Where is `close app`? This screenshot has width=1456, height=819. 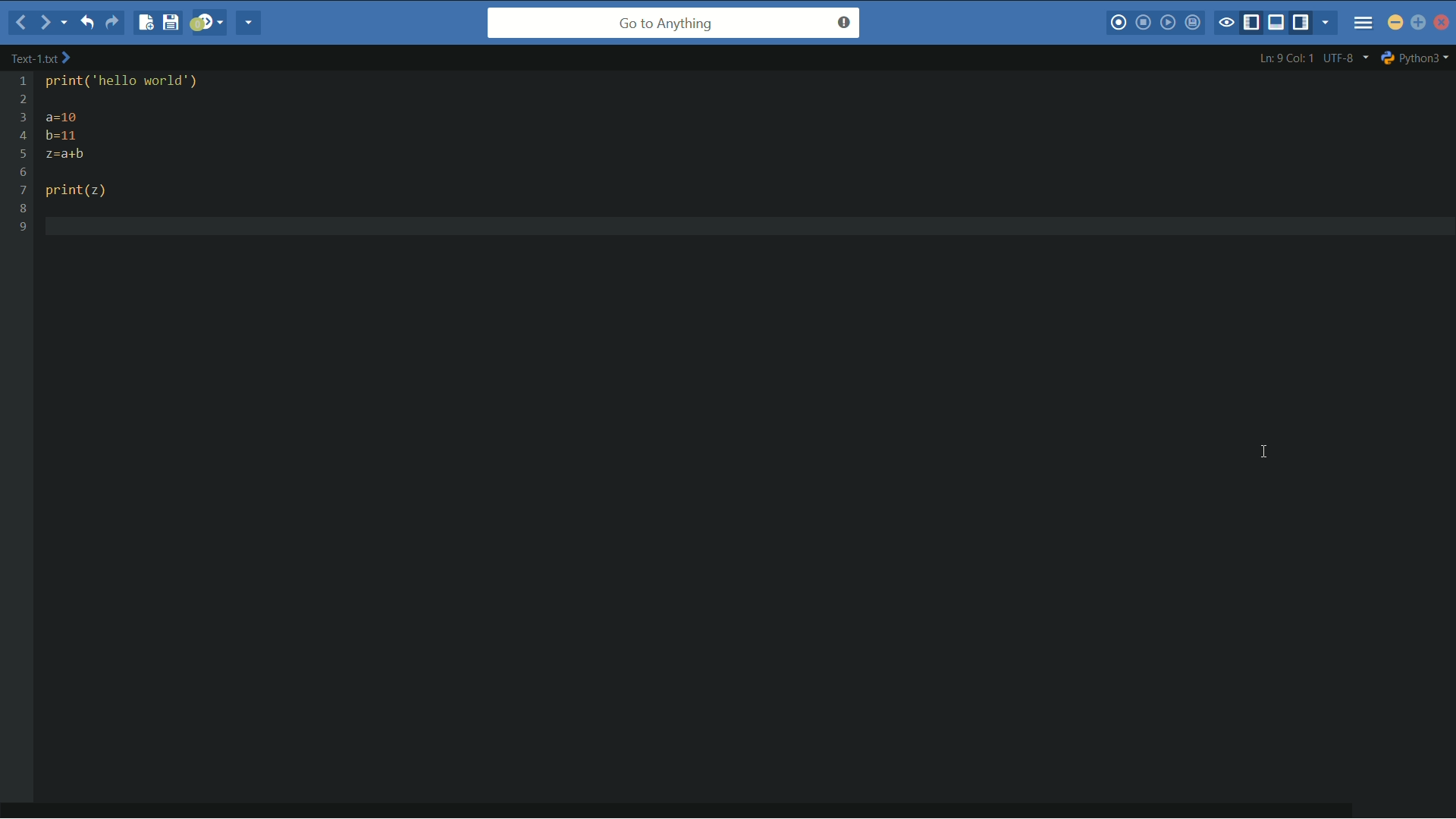 close app is located at coordinates (1442, 22).